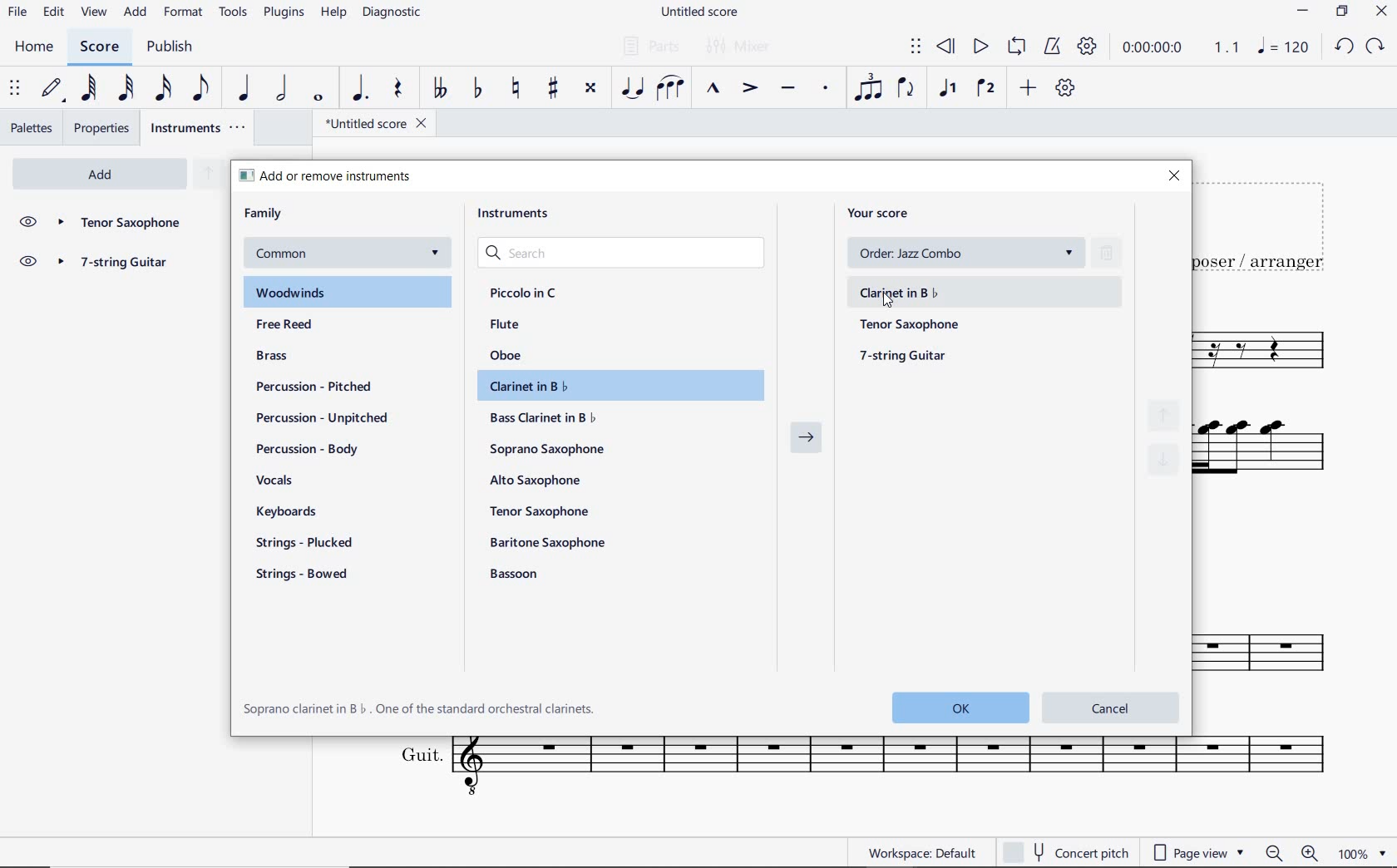  What do you see at coordinates (868, 87) in the screenshot?
I see `TUPLET` at bounding box center [868, 87].